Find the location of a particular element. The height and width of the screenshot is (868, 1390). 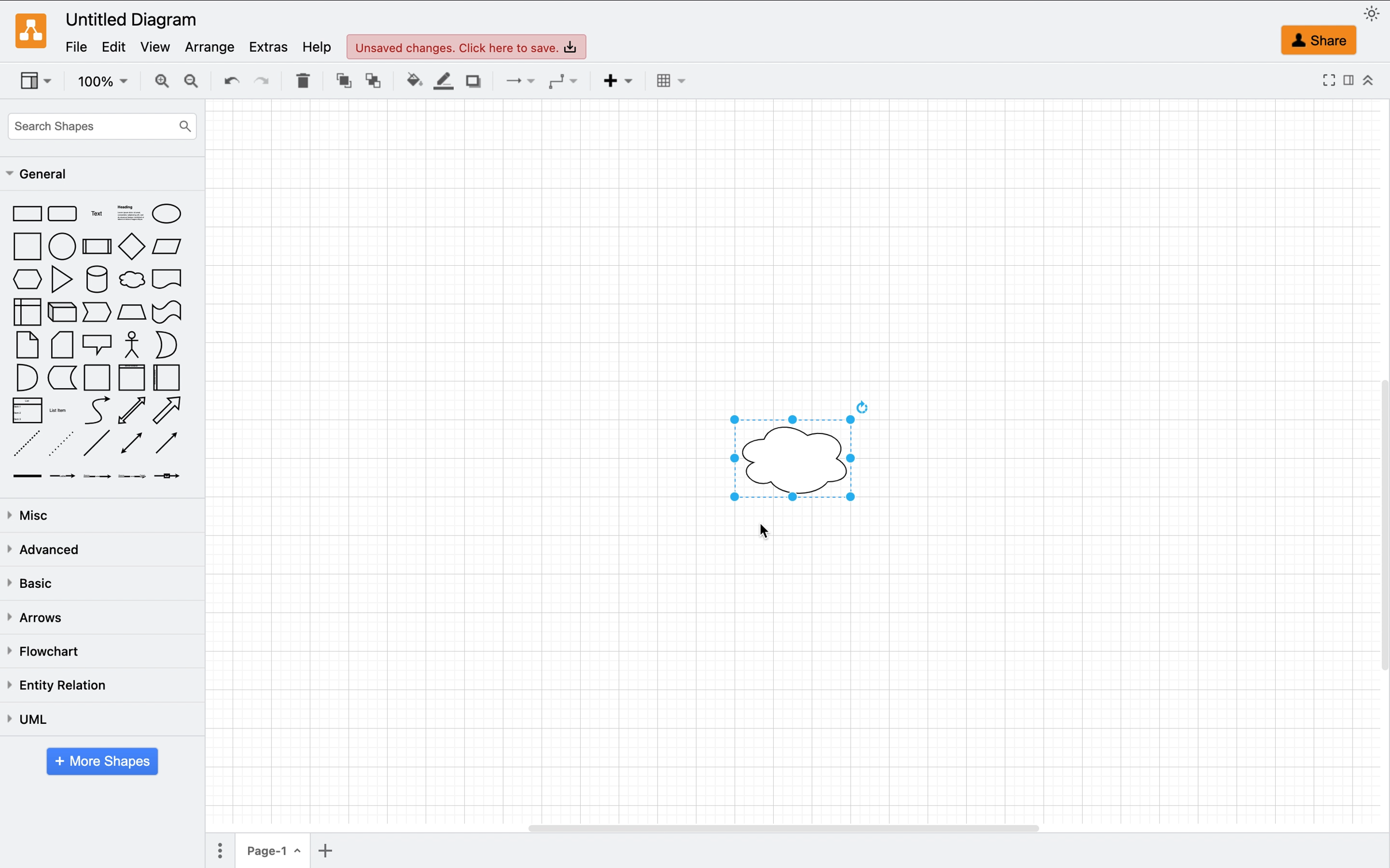

unsaved changes is located at coordinates (470, 47).